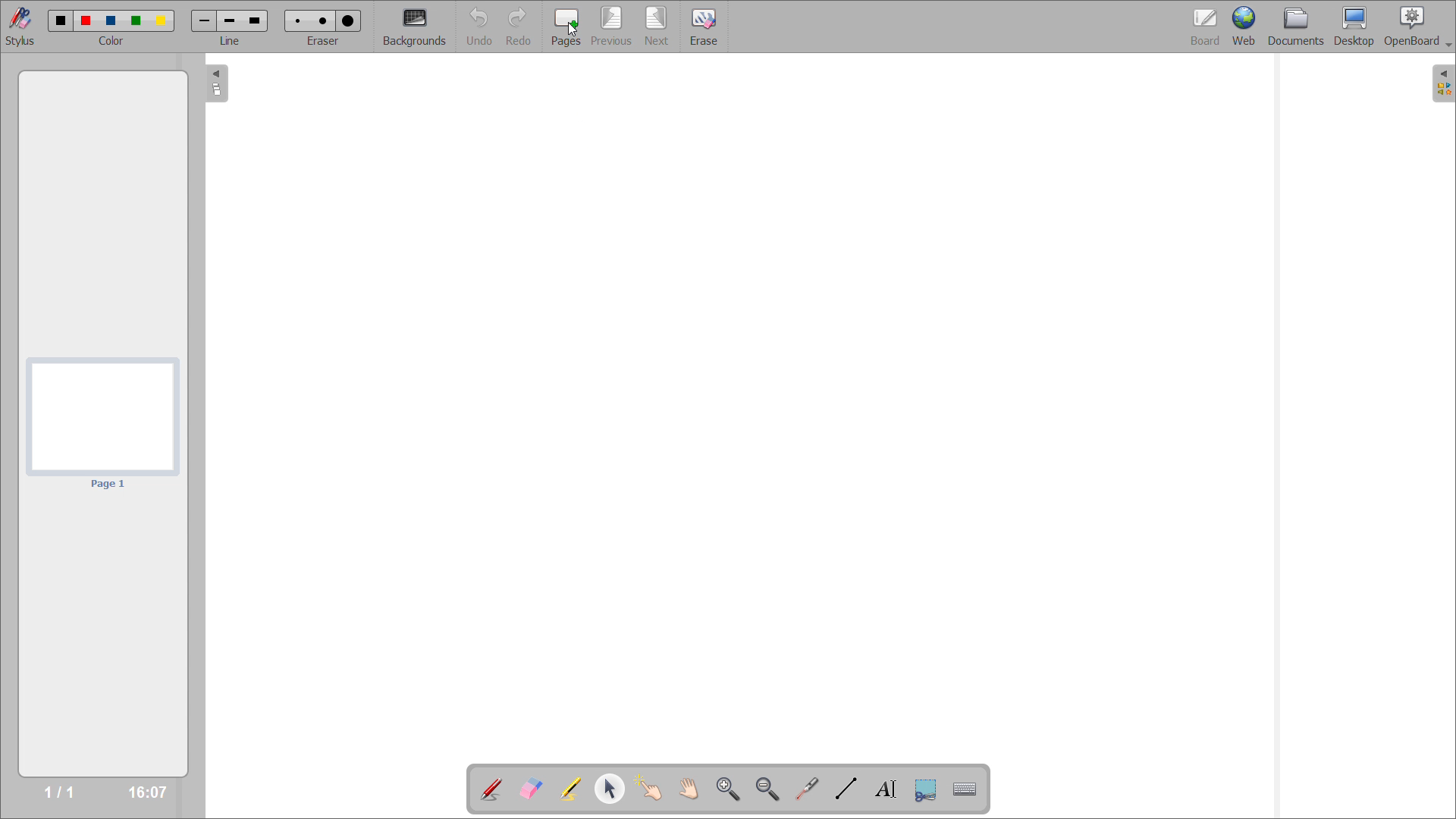  I want to click on pages(add), so click(566, 28).